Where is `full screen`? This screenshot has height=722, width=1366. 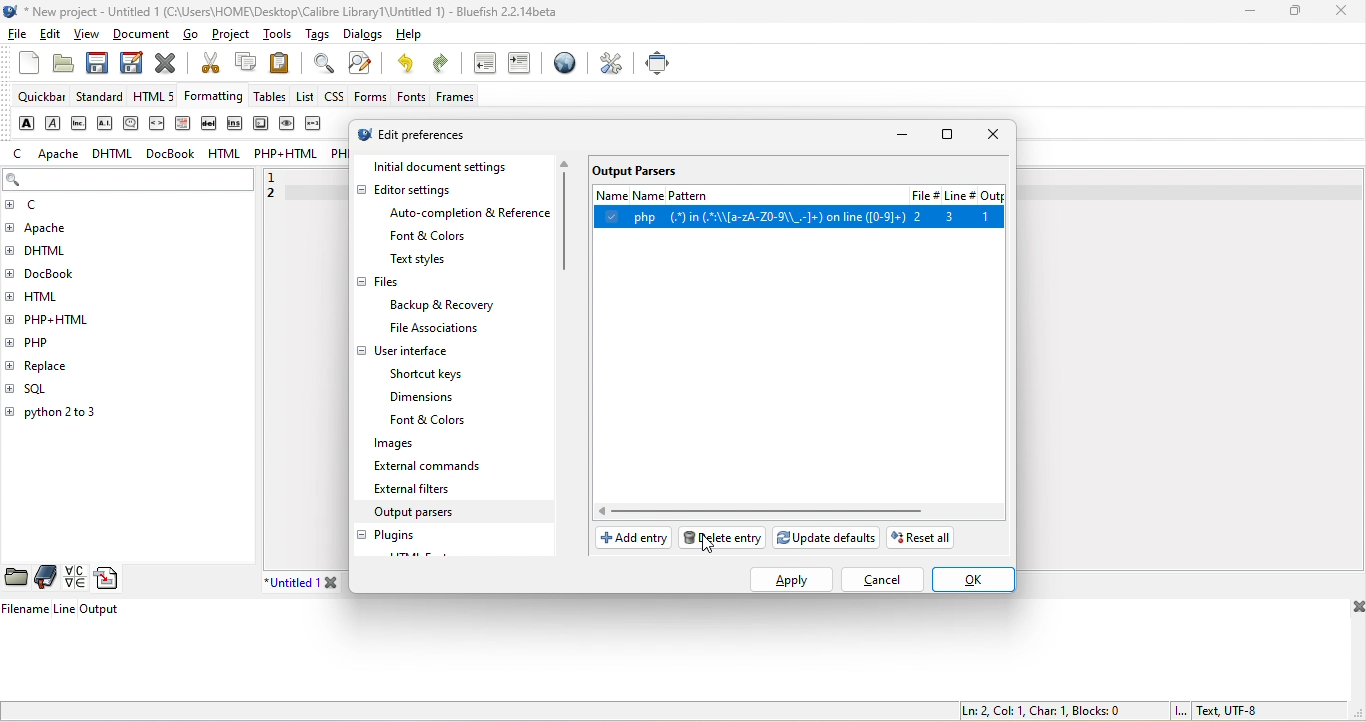 full screen is located at coordinates (658, 62).